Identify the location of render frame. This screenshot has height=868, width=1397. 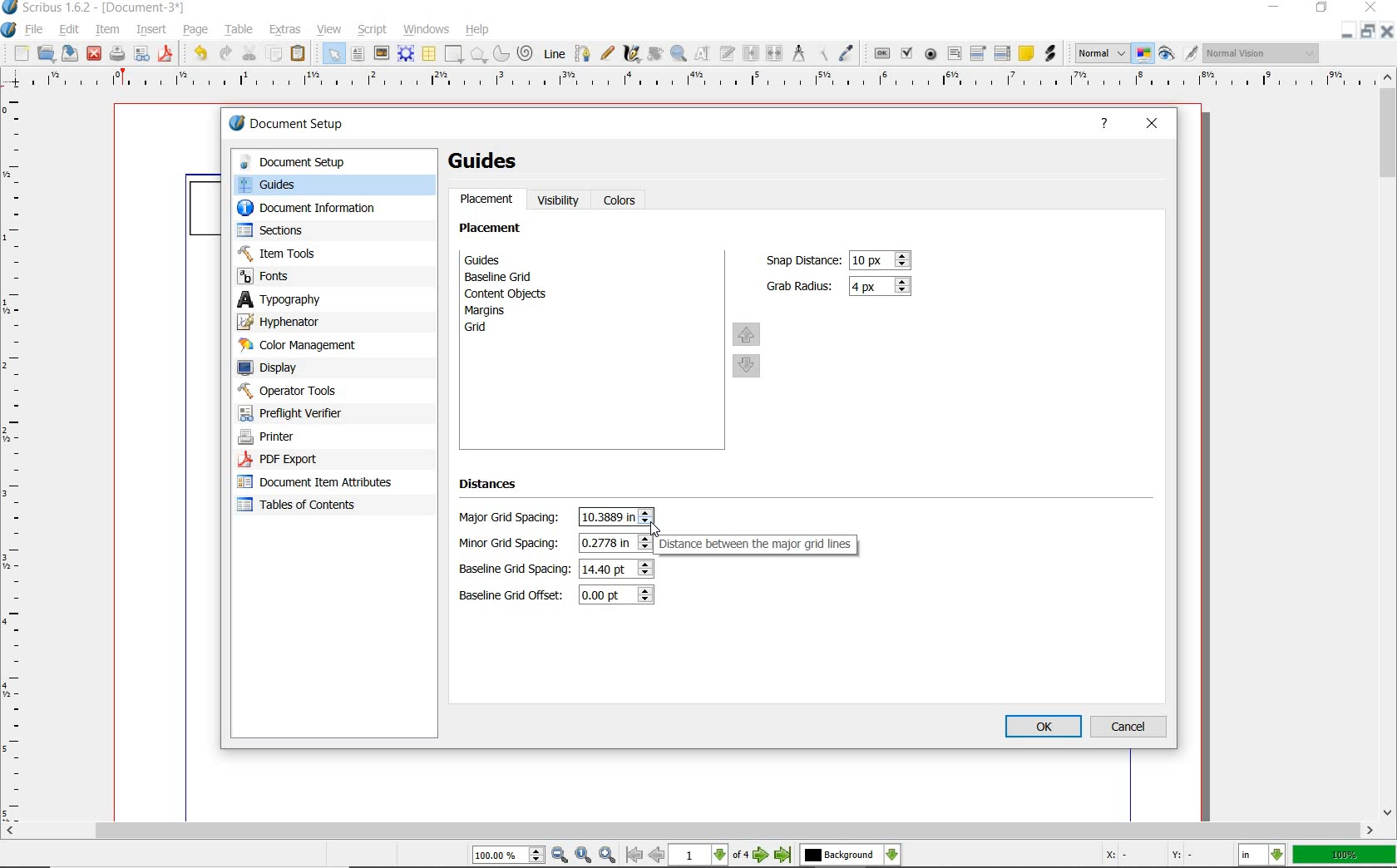
(406, 54).